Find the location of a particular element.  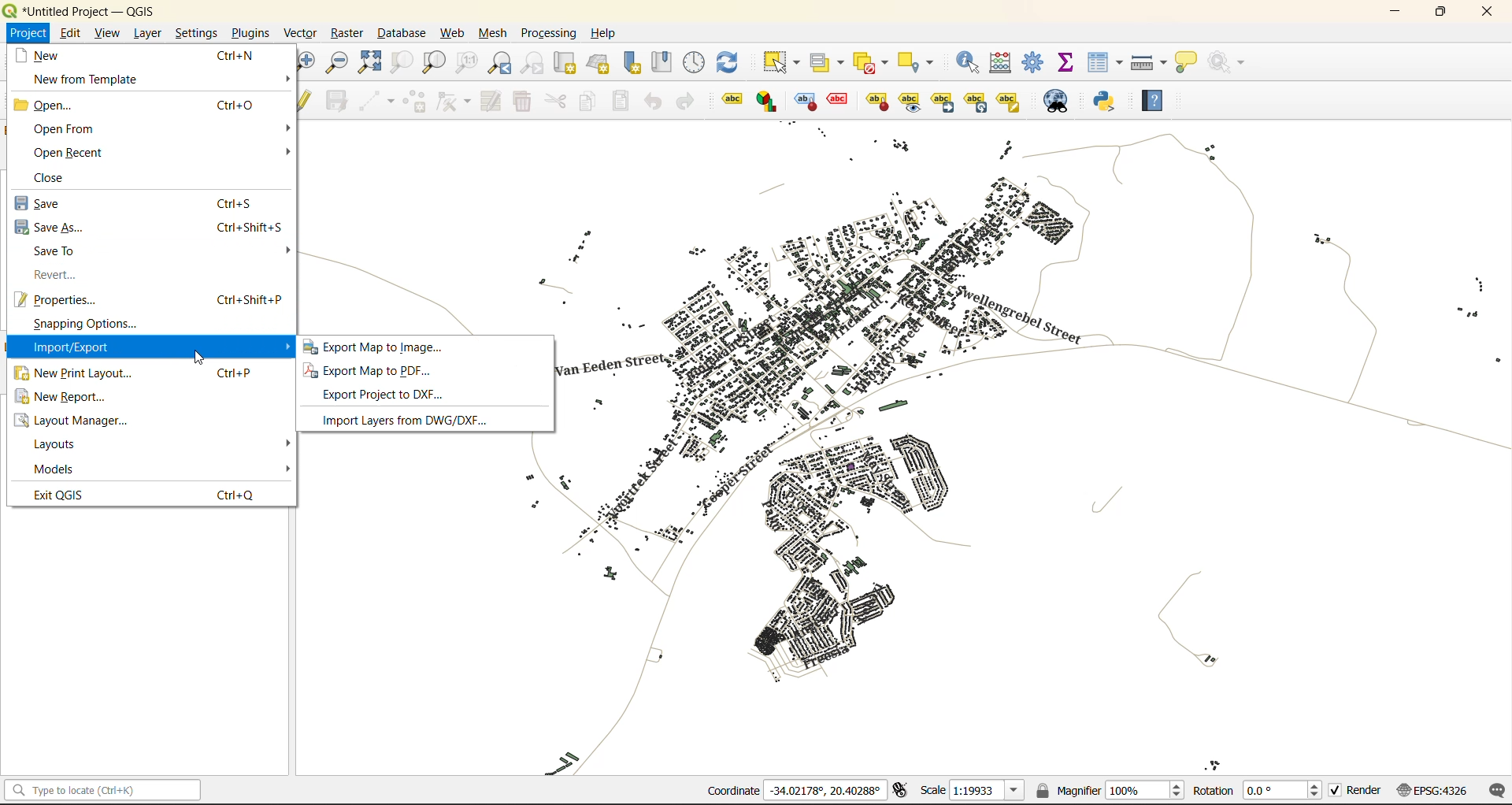

zoom selection is located at coordinates (398, 63).